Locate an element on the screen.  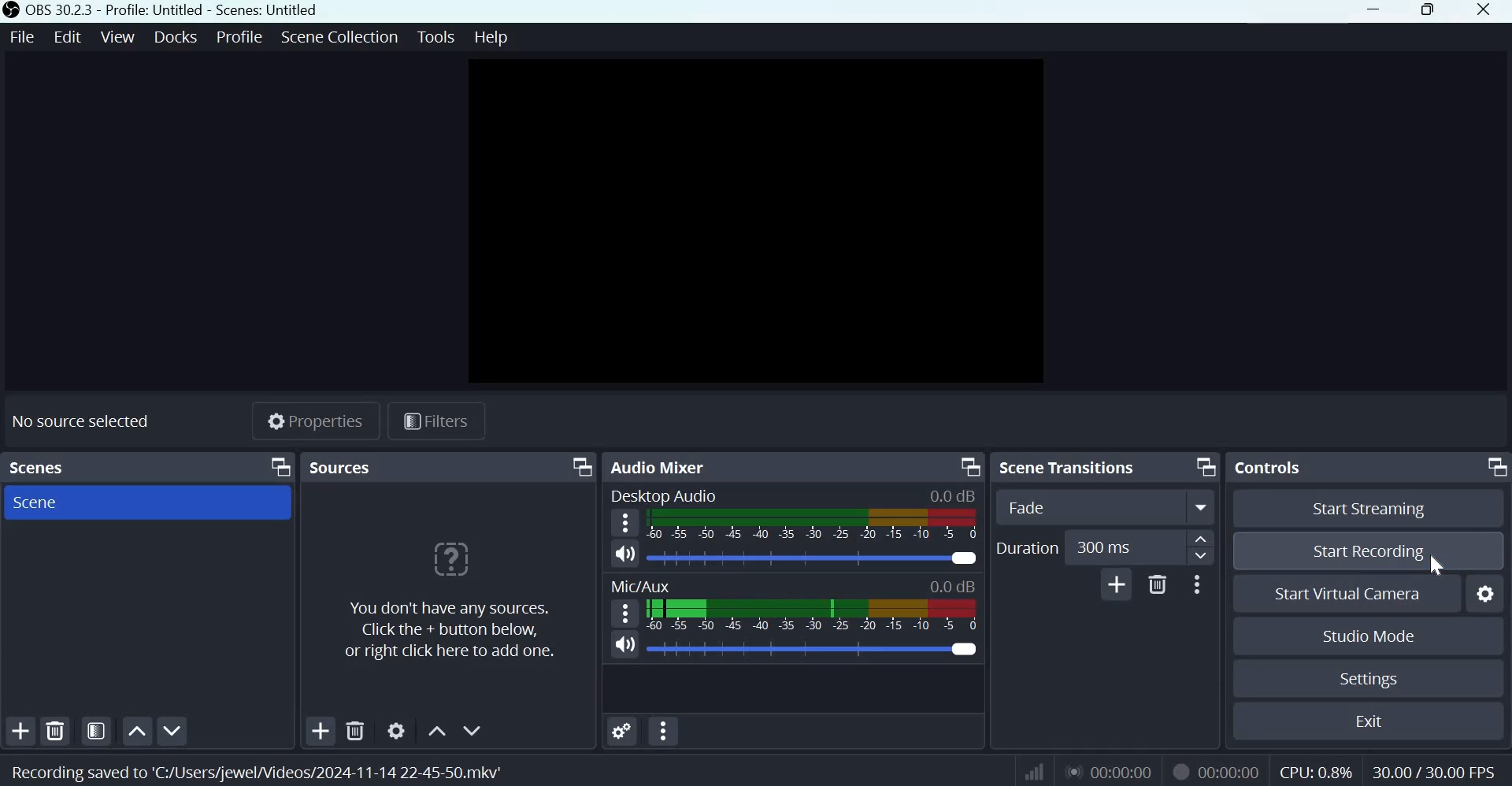
00:00:00 is located at coordinates (1108, 771).